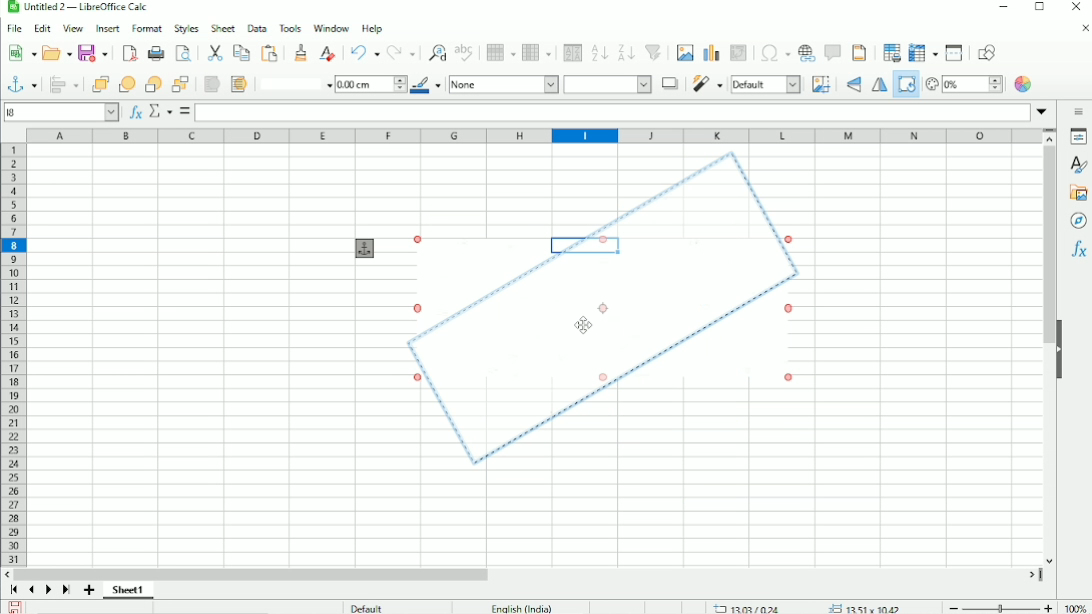 This screenshot has height=614, width=1092. Describe the element at coordinates (13, 591) in the screenshot. I see `Scroll to first sheet` at that location.